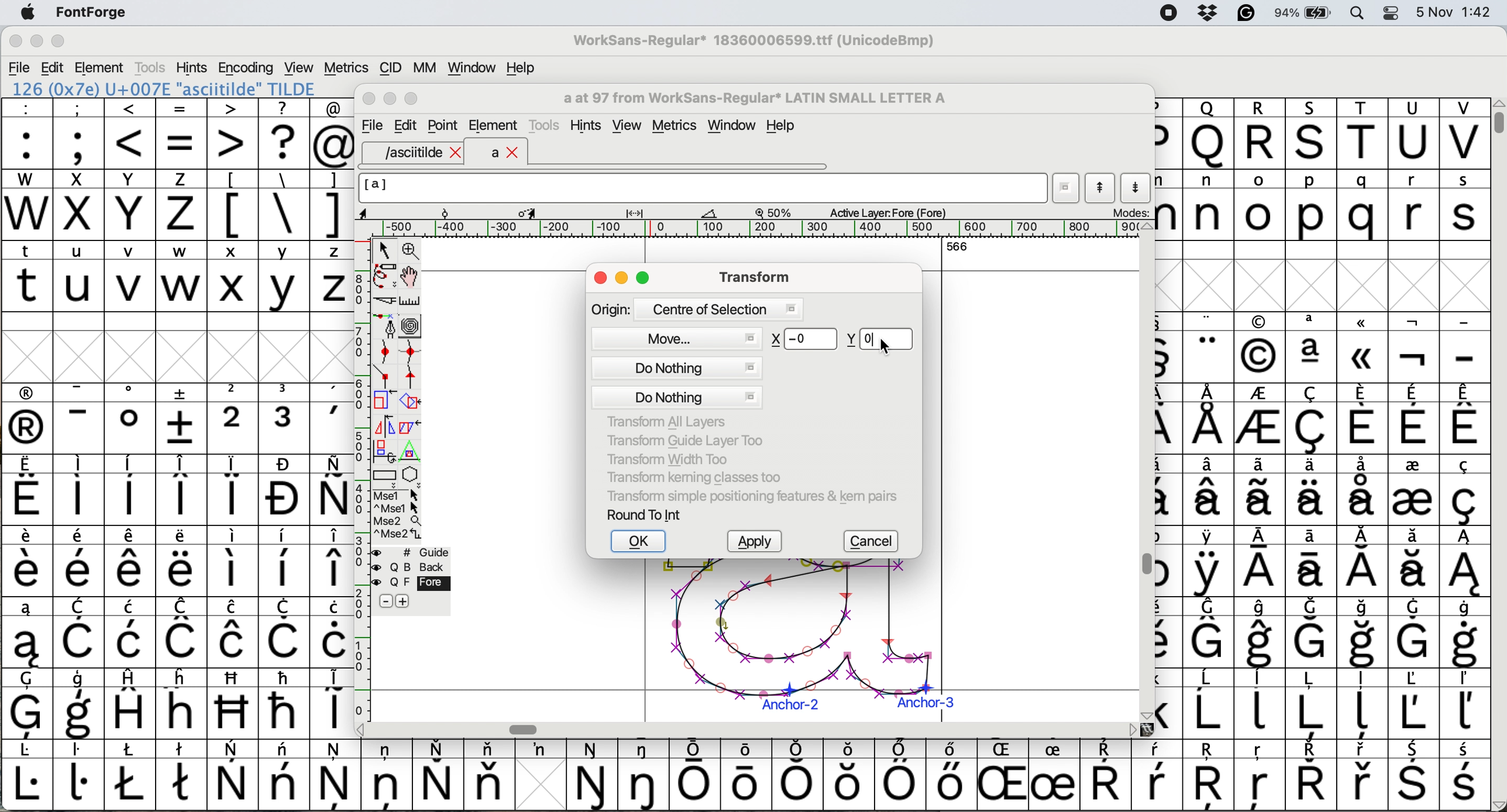  I want to click on transform kerning classes too, so click(694, 477).